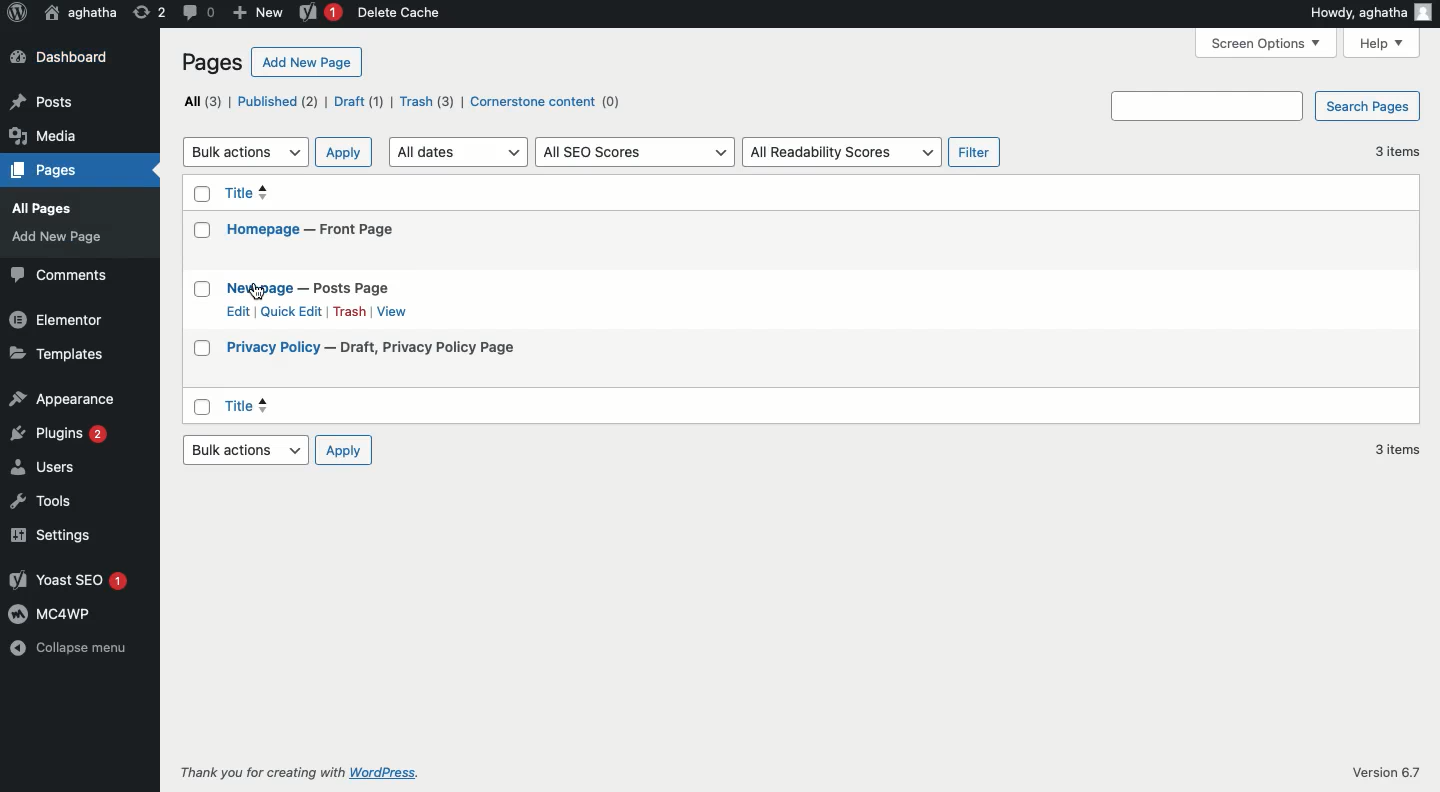 This screenshot has height=792, width=1440. Describe the element at coordinates (43, 102) in the screenshot. I see `Posts` at that location.